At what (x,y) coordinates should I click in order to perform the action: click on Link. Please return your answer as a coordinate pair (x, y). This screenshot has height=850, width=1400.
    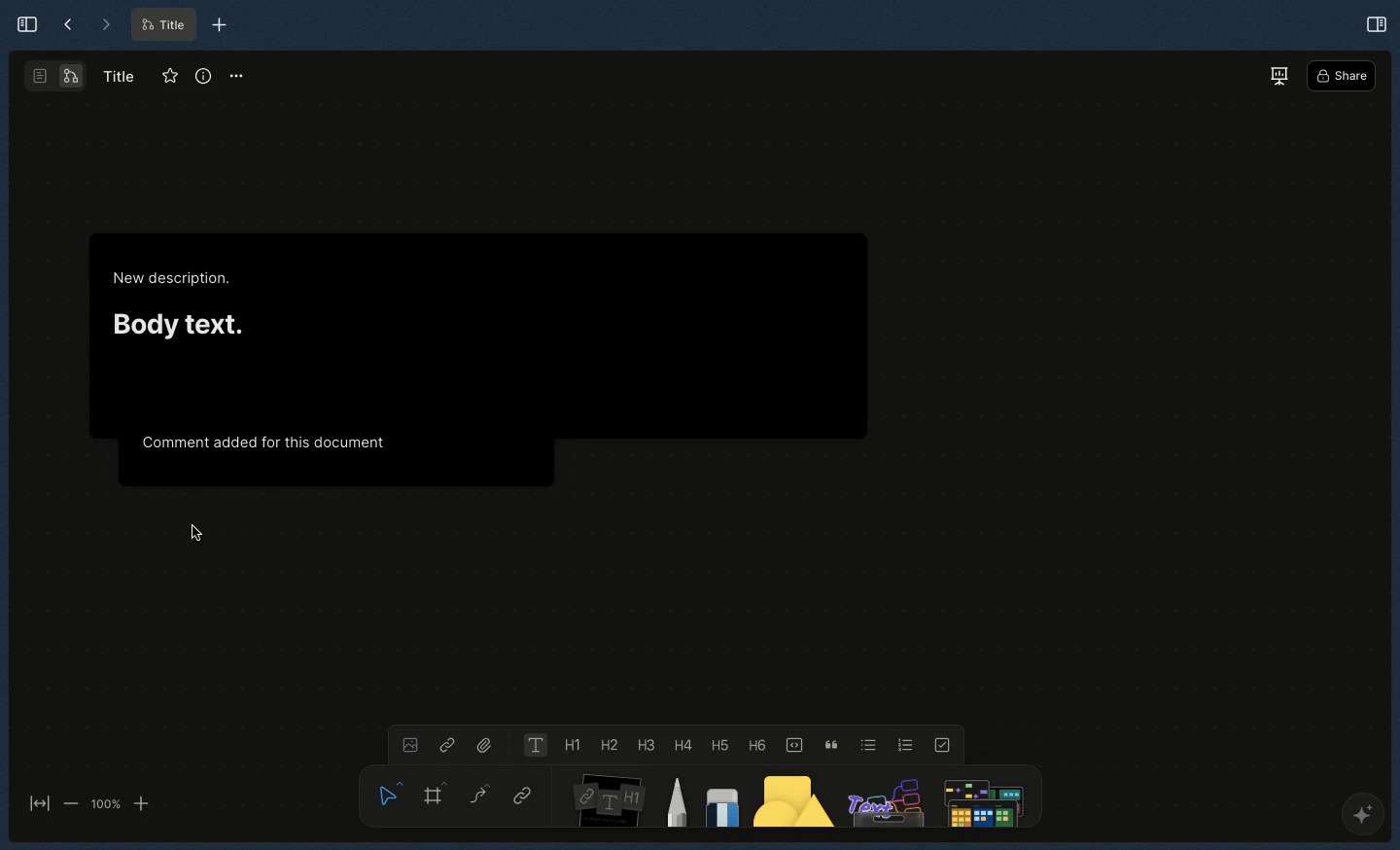
    Looking at the image, I should click on (447, 744).